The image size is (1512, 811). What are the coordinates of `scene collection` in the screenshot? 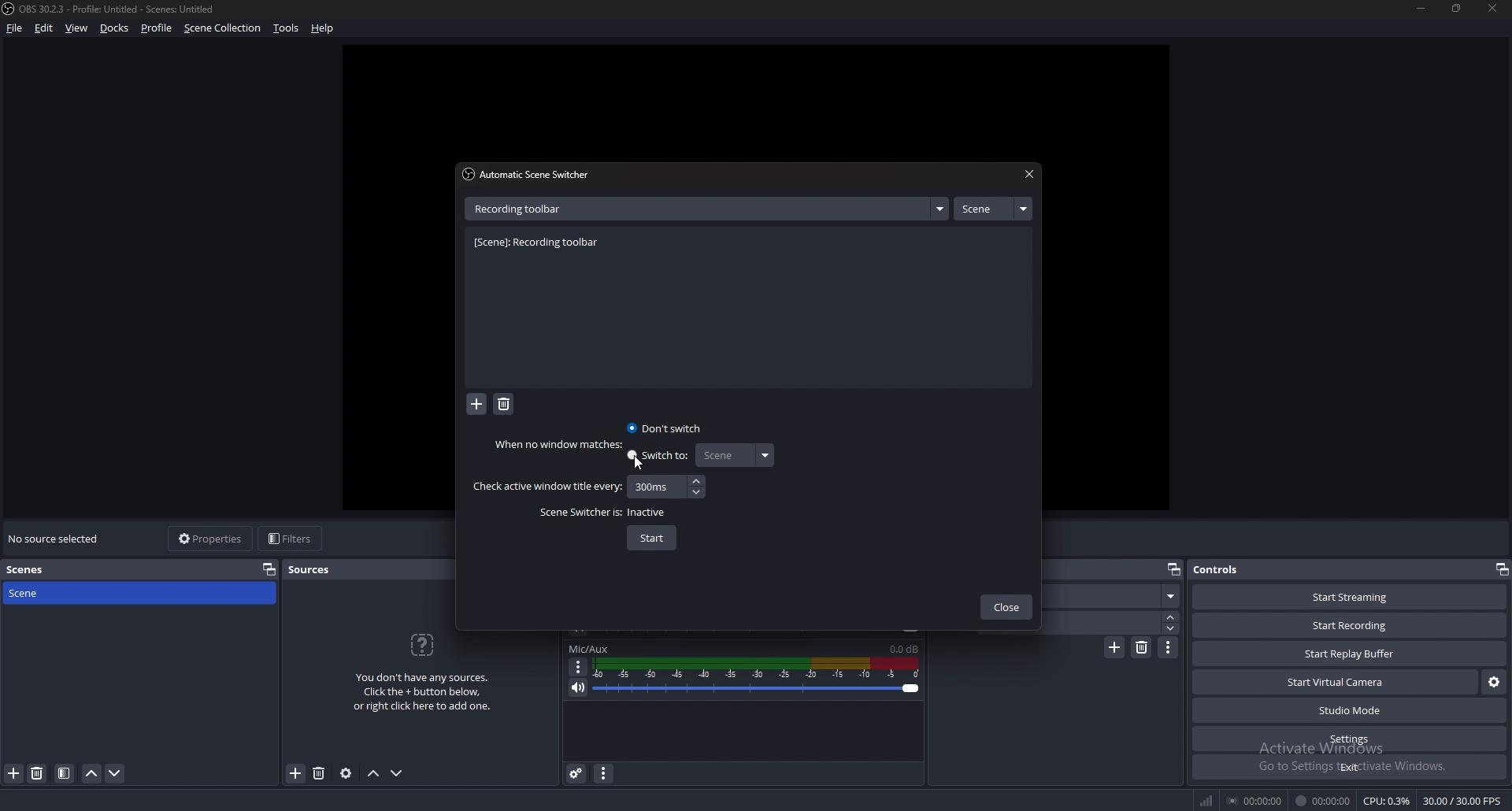 It's located at (224, 27).